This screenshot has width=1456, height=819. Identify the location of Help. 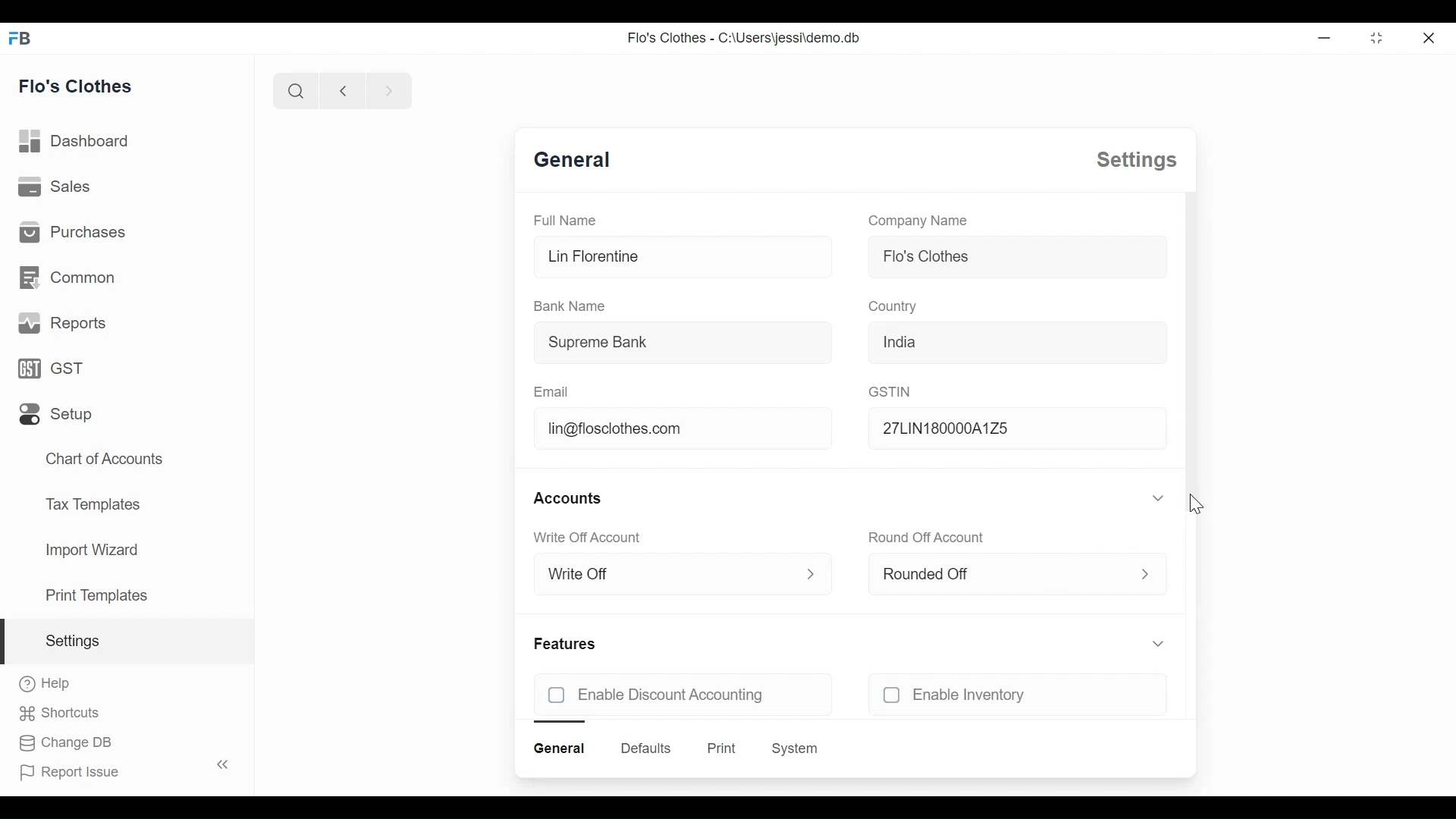
(45, 685).